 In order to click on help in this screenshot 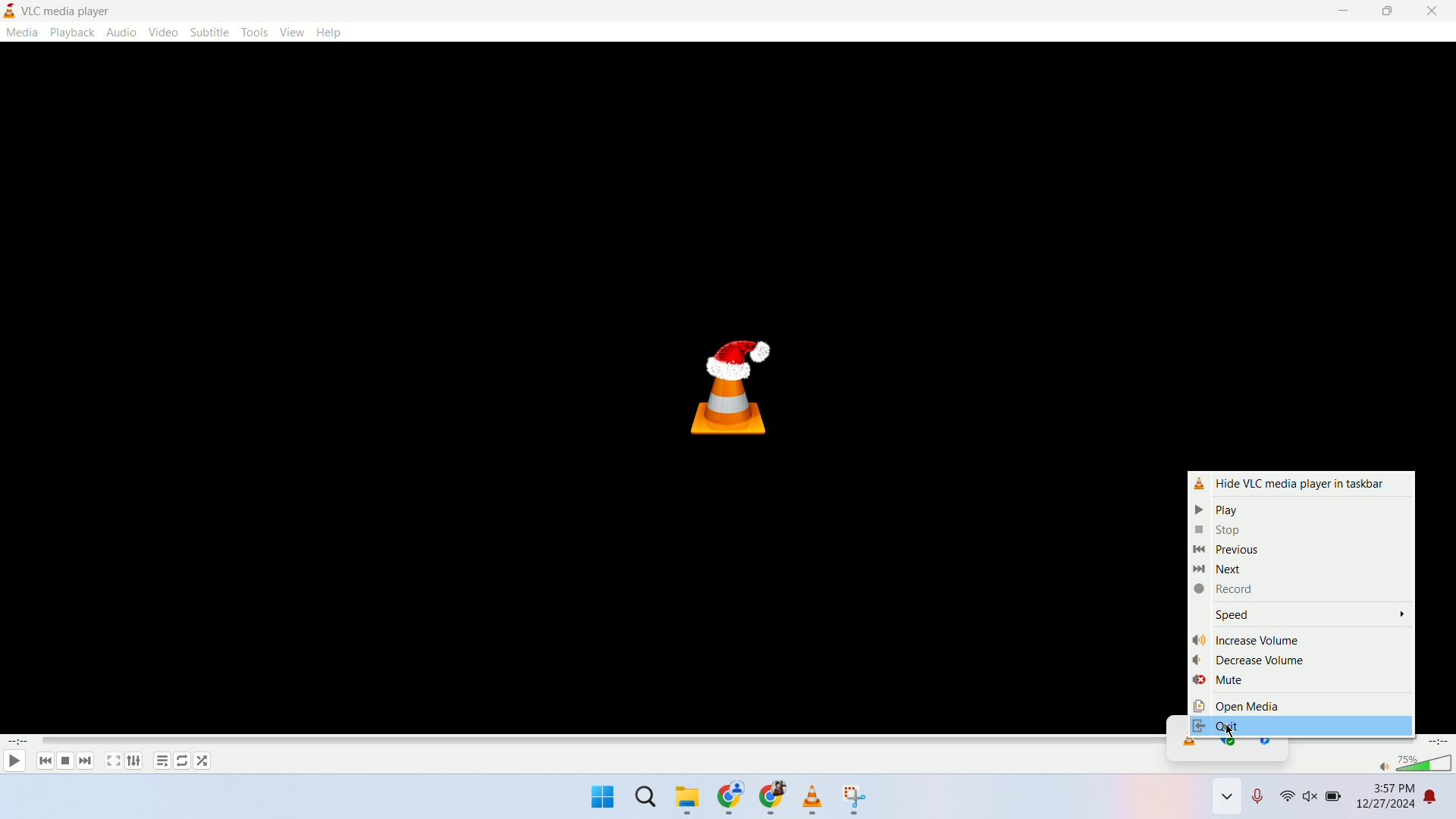, I will do `click(328, 32)`.